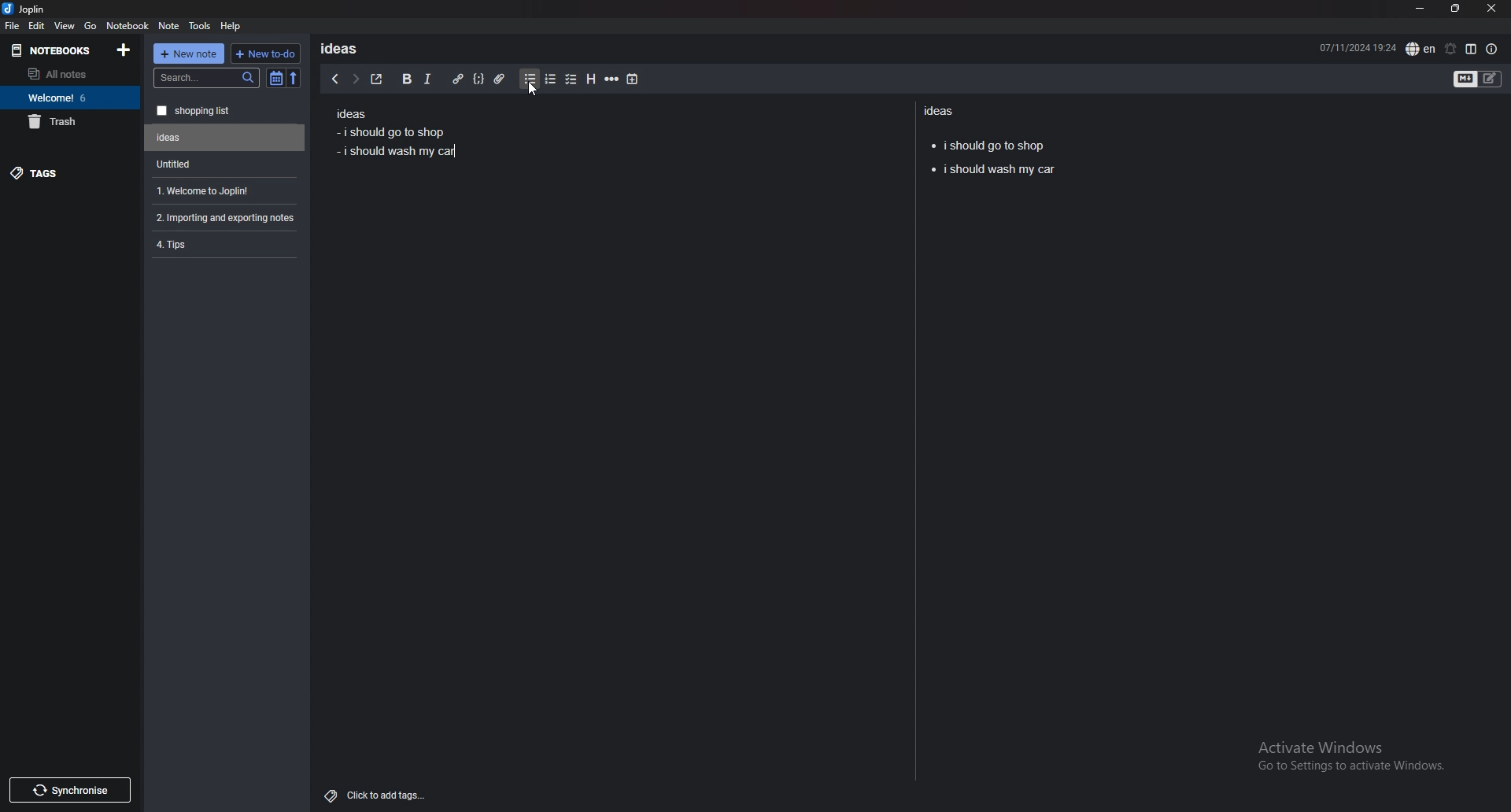 This screenshot has width=1511, height=812. What do you see at coordinates (169, 26) in the screenshot?
I see `note` at bounding box center [169, 26].